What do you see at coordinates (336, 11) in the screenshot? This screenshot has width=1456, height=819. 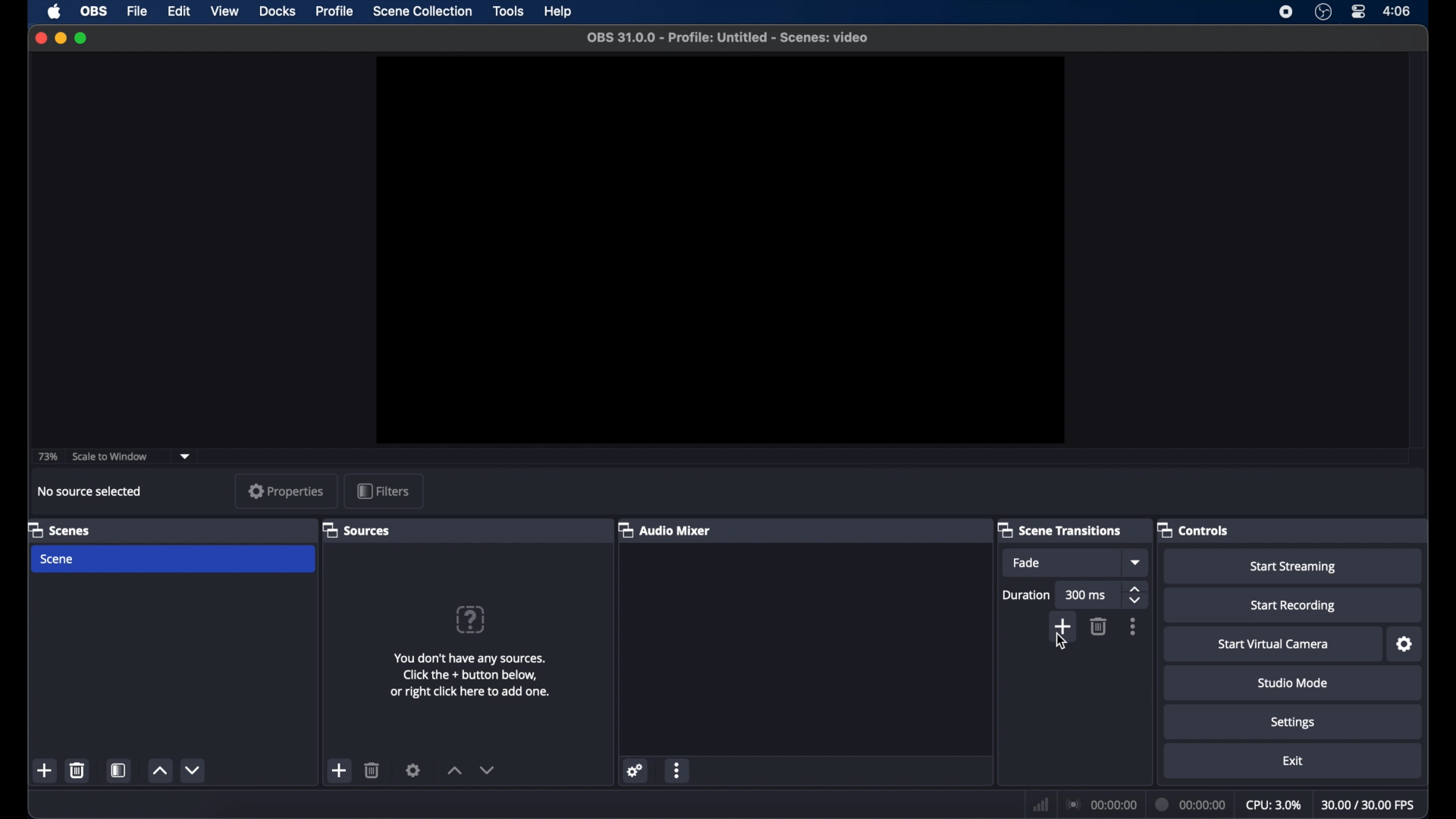 I see `profile` at bounding box center [336, 11].